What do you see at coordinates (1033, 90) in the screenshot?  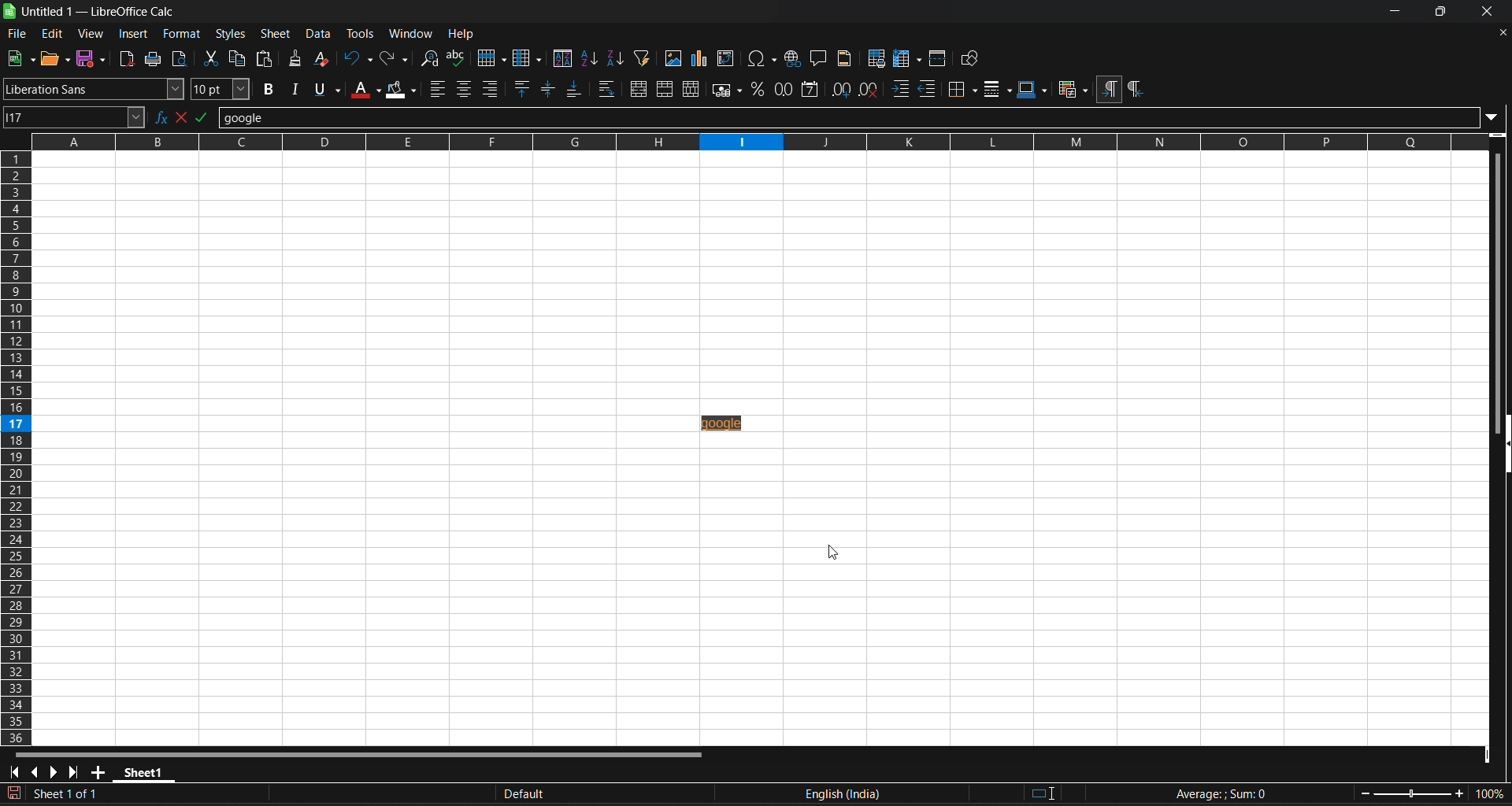 I see `border colors` at bounding box center [1033, 90].